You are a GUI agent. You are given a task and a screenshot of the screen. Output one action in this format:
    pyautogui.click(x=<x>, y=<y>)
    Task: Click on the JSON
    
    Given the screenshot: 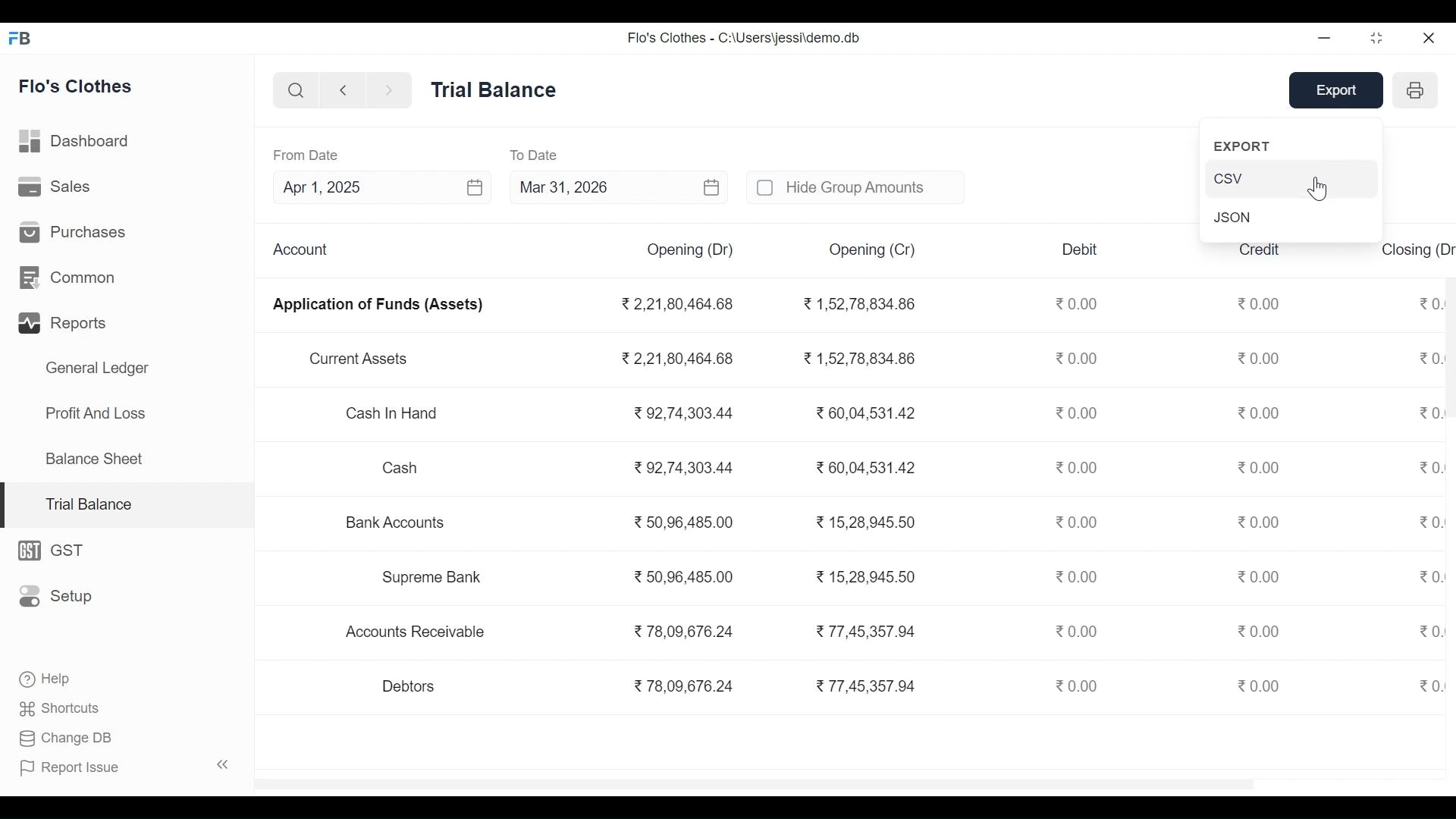 What is the action you would take?
    pyautogui.click(x=1236, y=217)
    